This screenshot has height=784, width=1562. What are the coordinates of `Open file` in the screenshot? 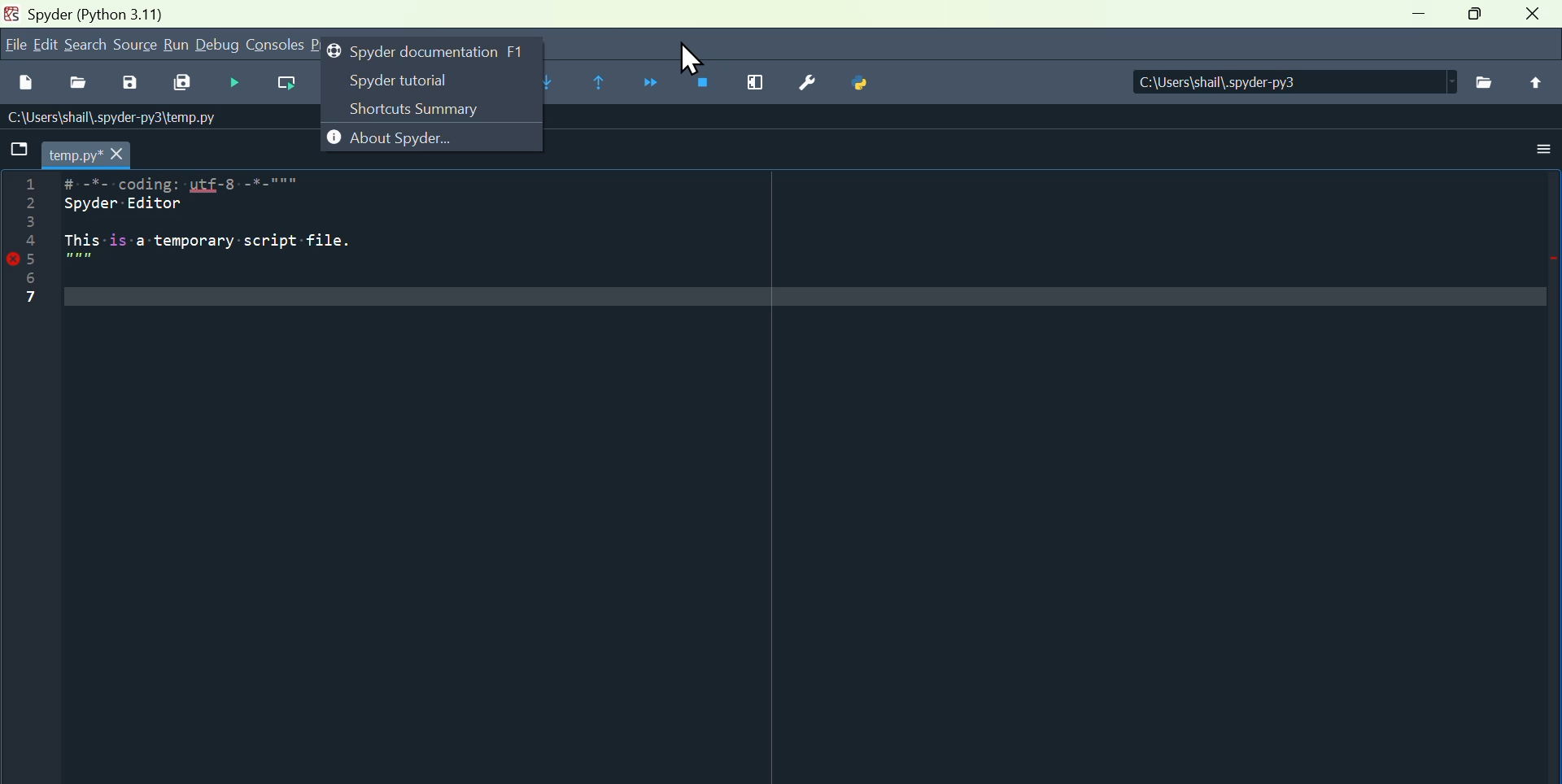 It's located at (78, 85).